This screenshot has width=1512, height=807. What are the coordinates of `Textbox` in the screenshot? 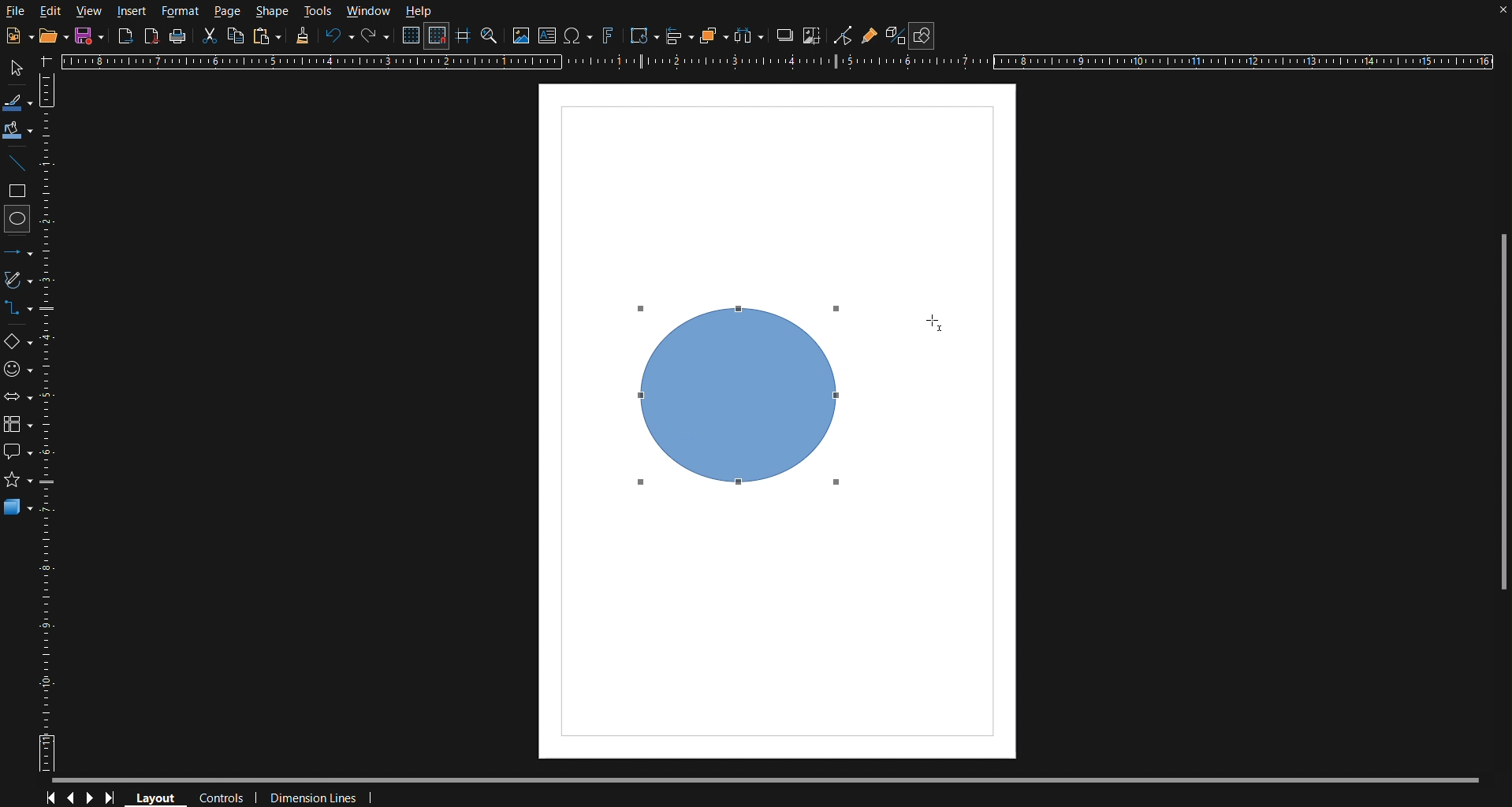 It's located at (549, 35).